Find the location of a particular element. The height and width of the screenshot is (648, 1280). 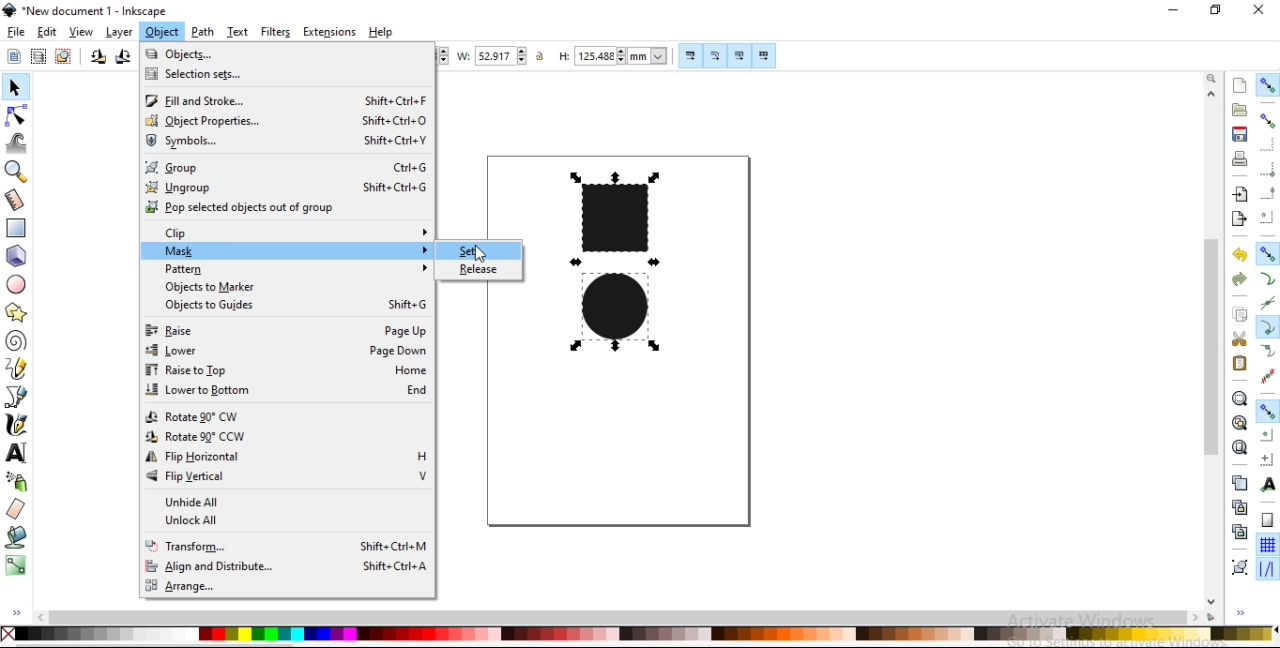

text is located at coordinates (239, 31).